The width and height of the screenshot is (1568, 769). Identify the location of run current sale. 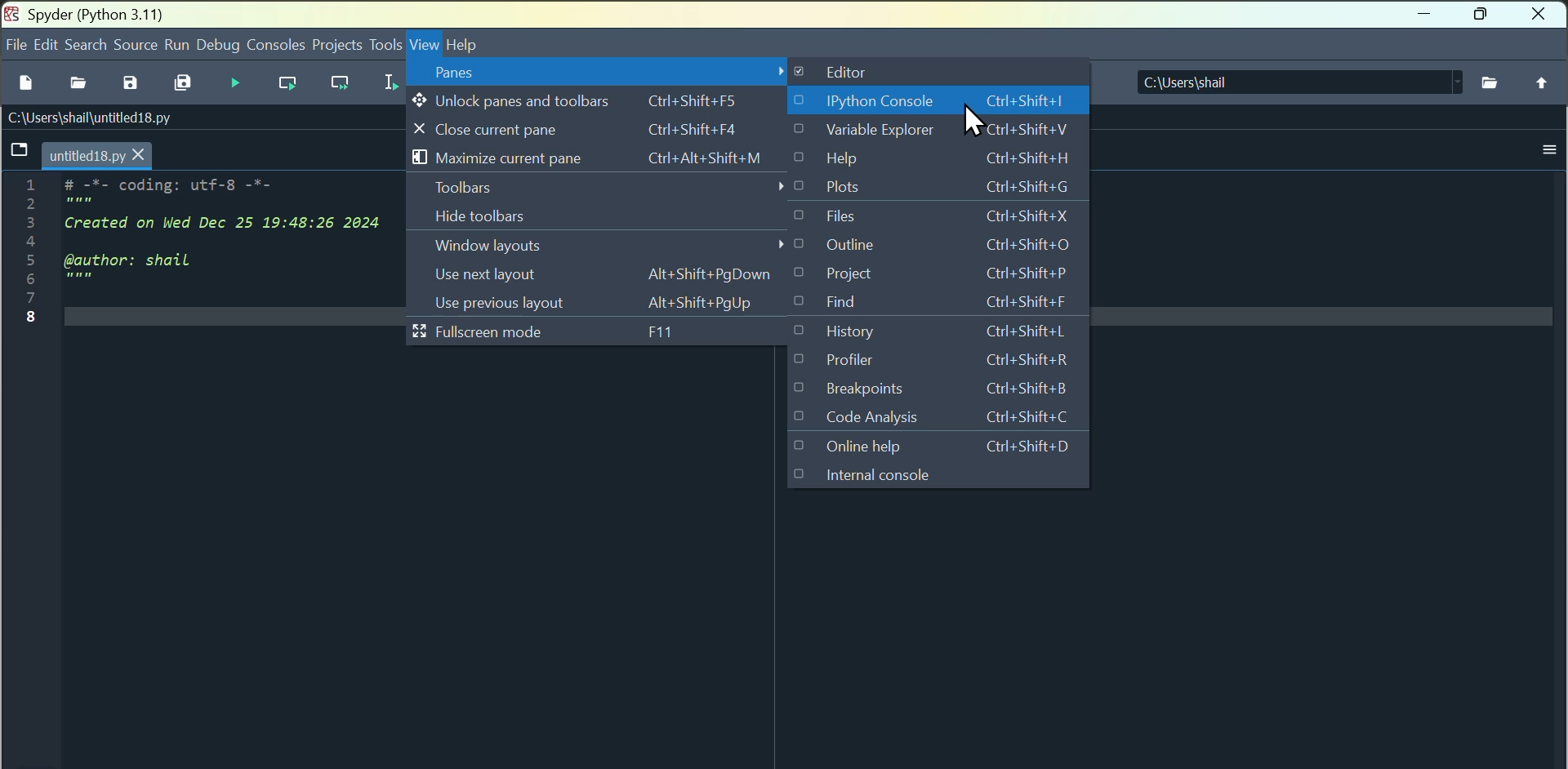
(292, 82).